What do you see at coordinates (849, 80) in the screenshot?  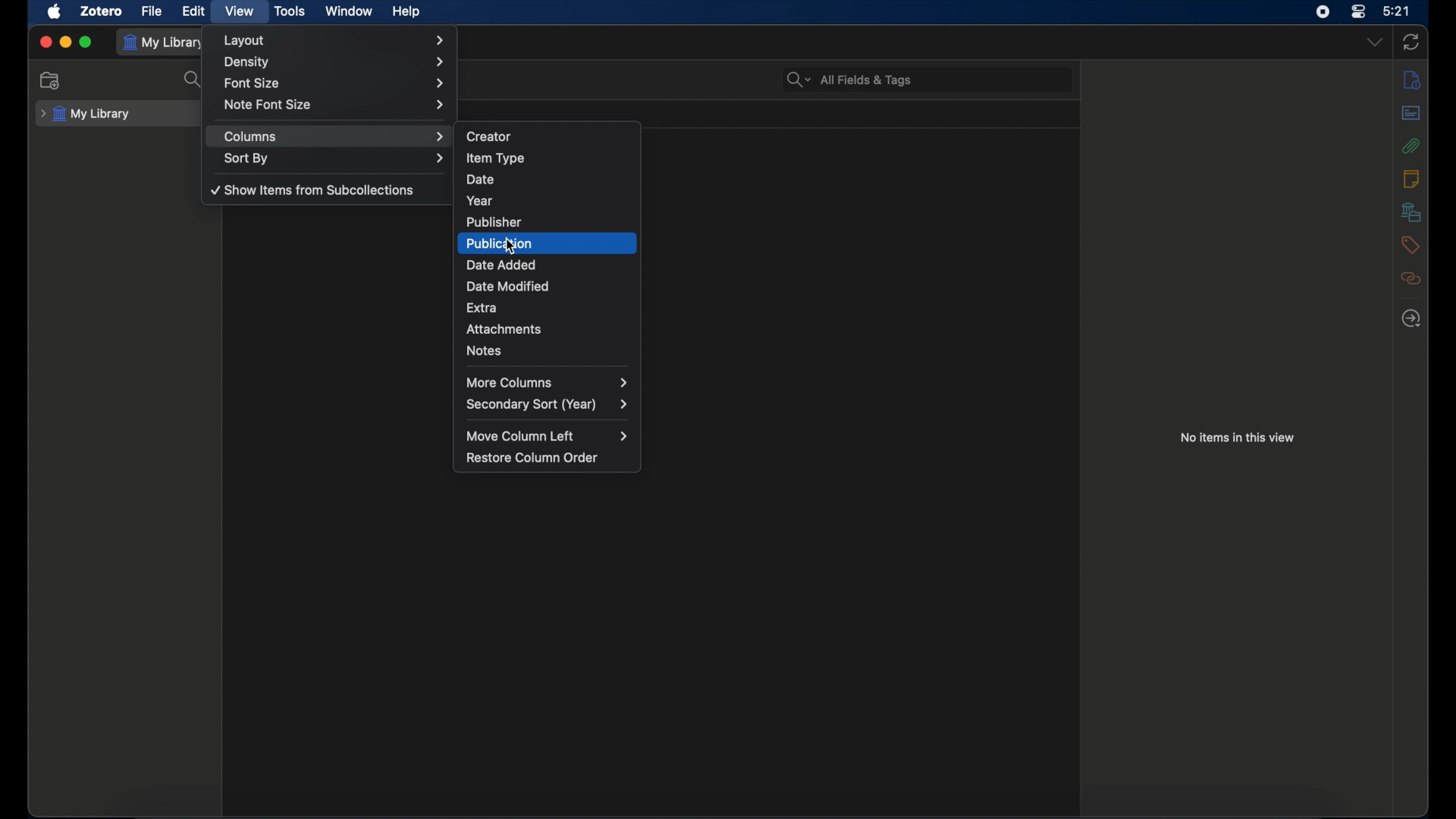 I see `search bar` at bounding box center [849, 80].